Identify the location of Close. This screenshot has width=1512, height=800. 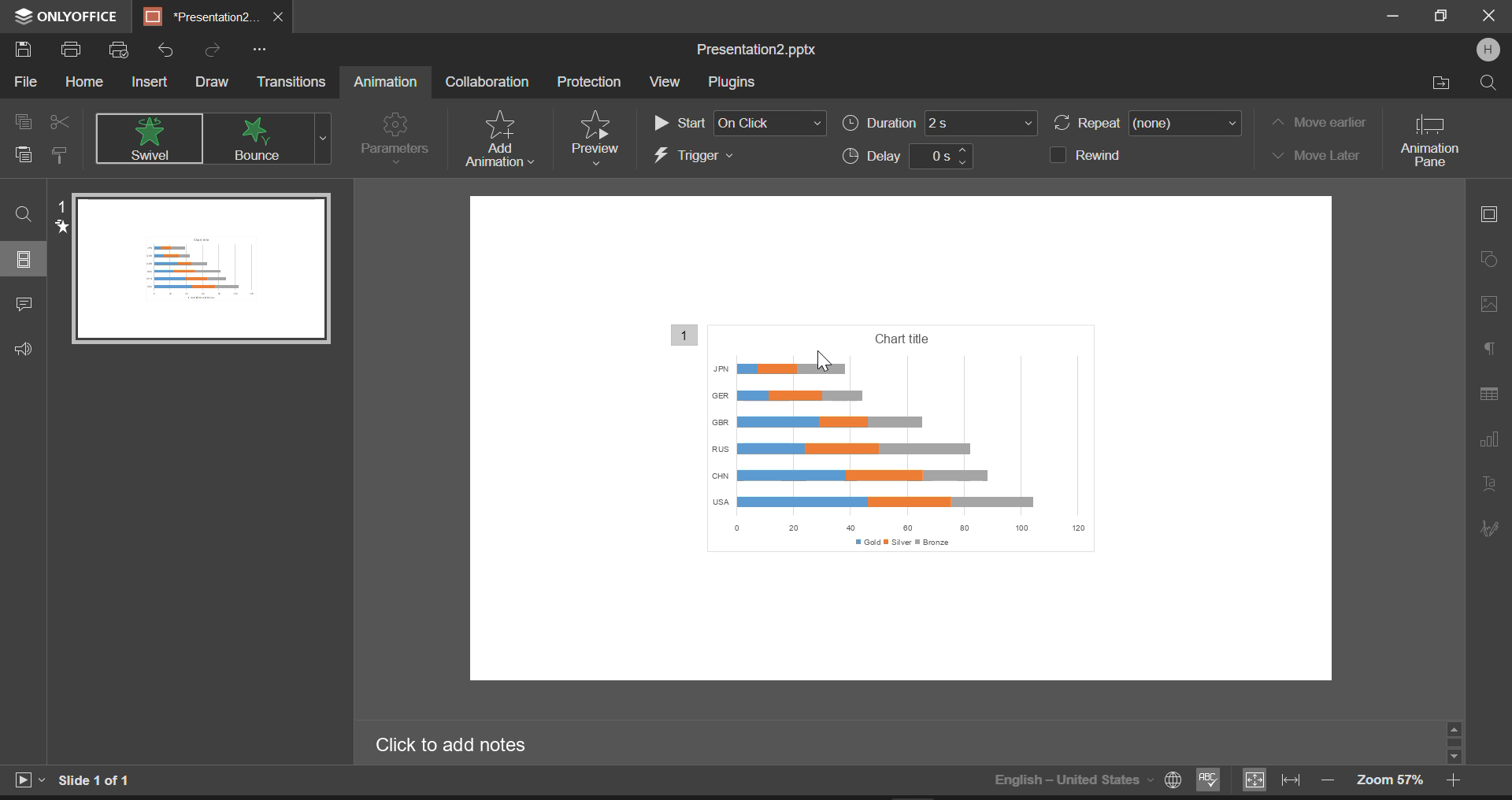
(1488, 17).